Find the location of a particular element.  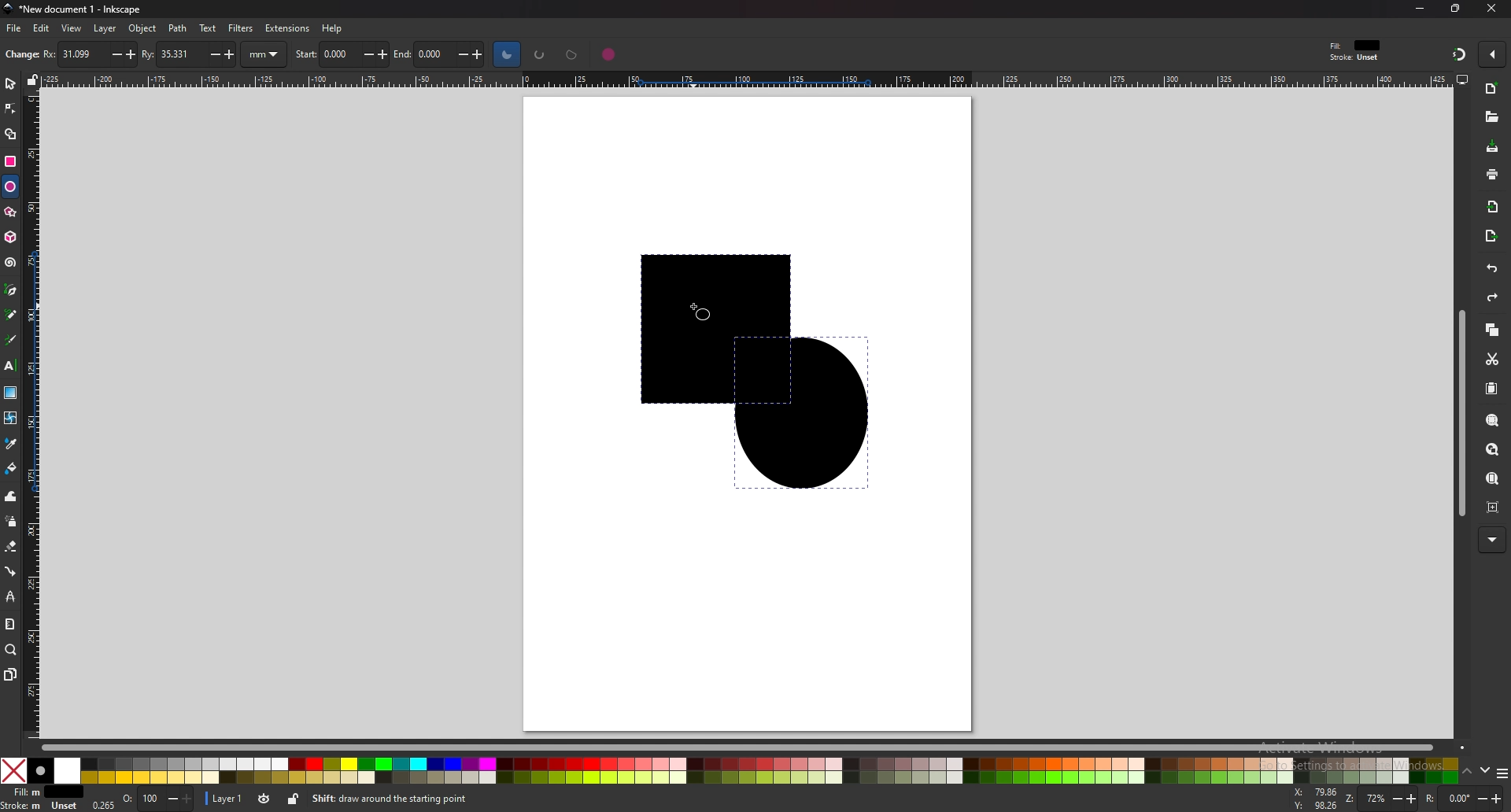

close is located at coordinates (1491, 9).